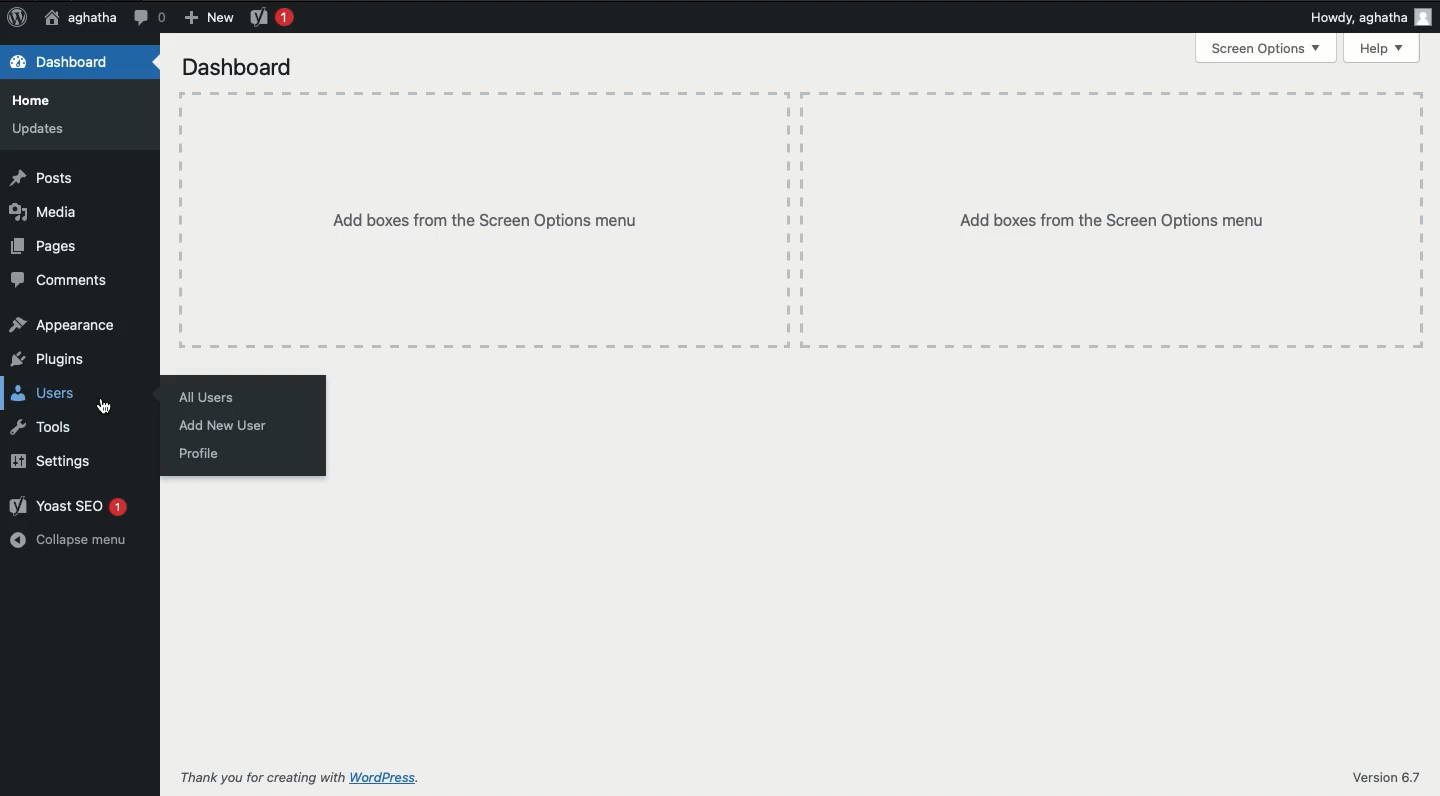 This screenshot has height=796, width=1440. I want to click on Posts, so click(50, 179).